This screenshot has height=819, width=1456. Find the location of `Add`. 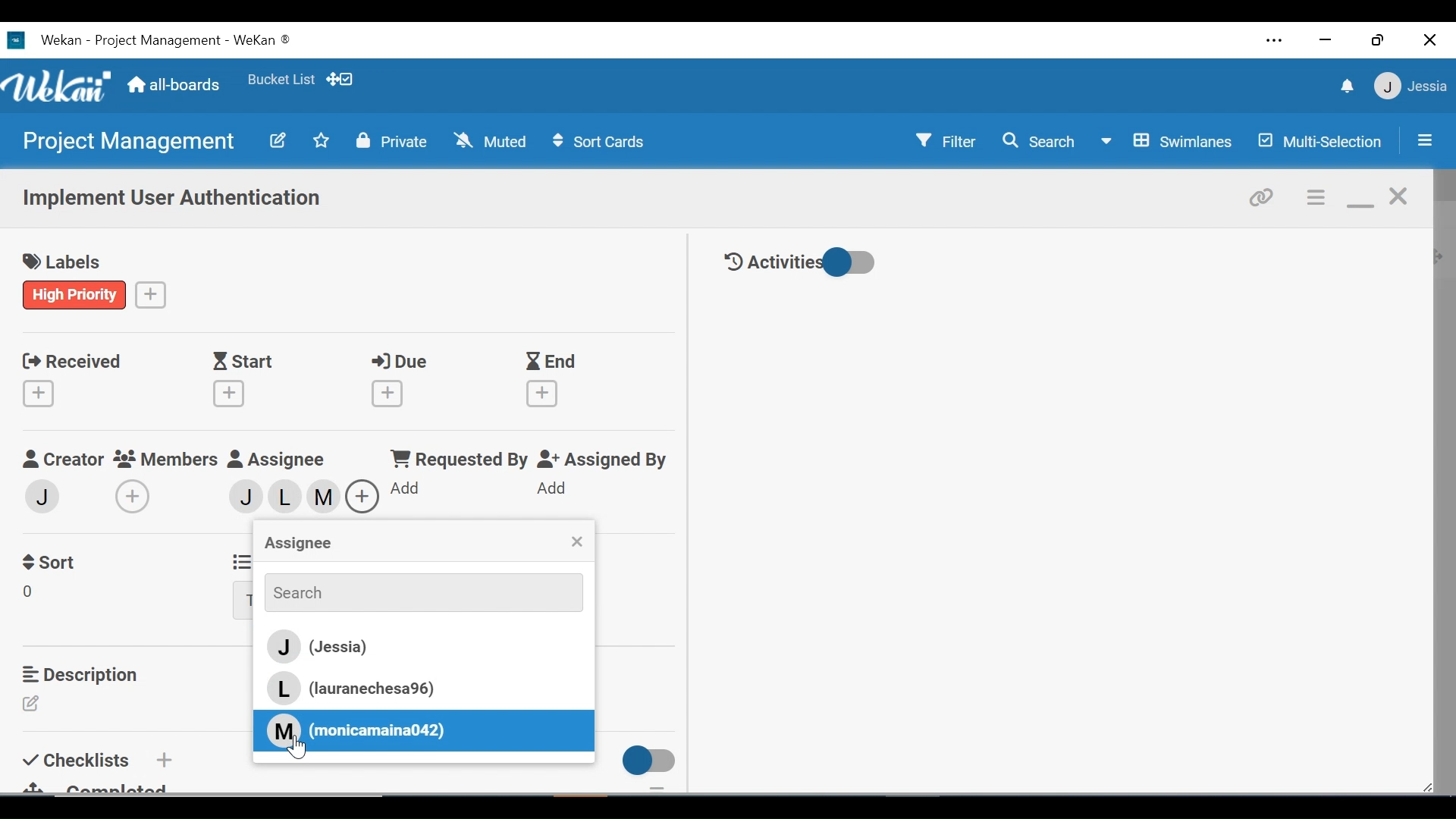

Add is located at coordinates (162, 759).